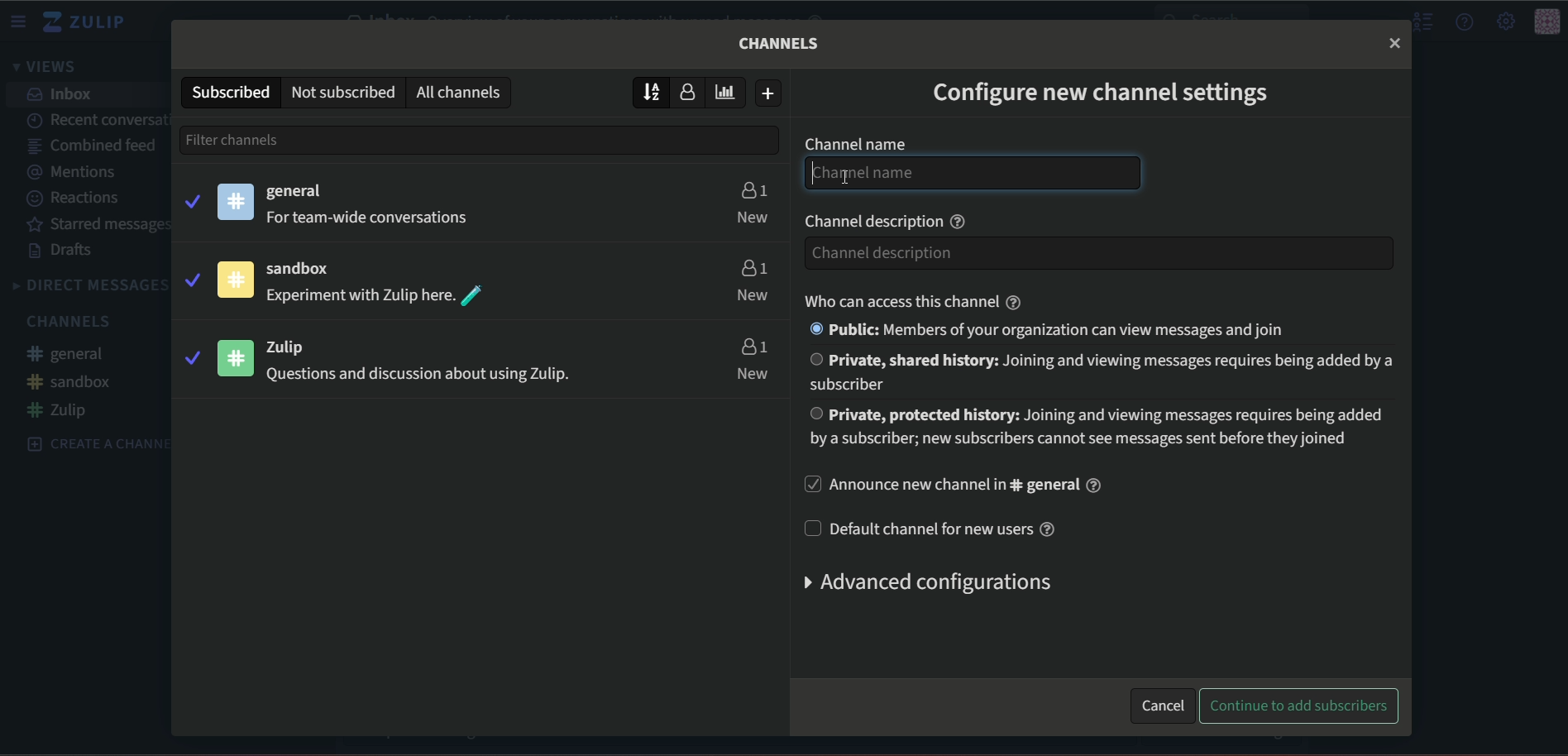  What do you see at coordinates (229, 91) in the screenshot?
I see `subscribed` at bounding box center [229, 91].